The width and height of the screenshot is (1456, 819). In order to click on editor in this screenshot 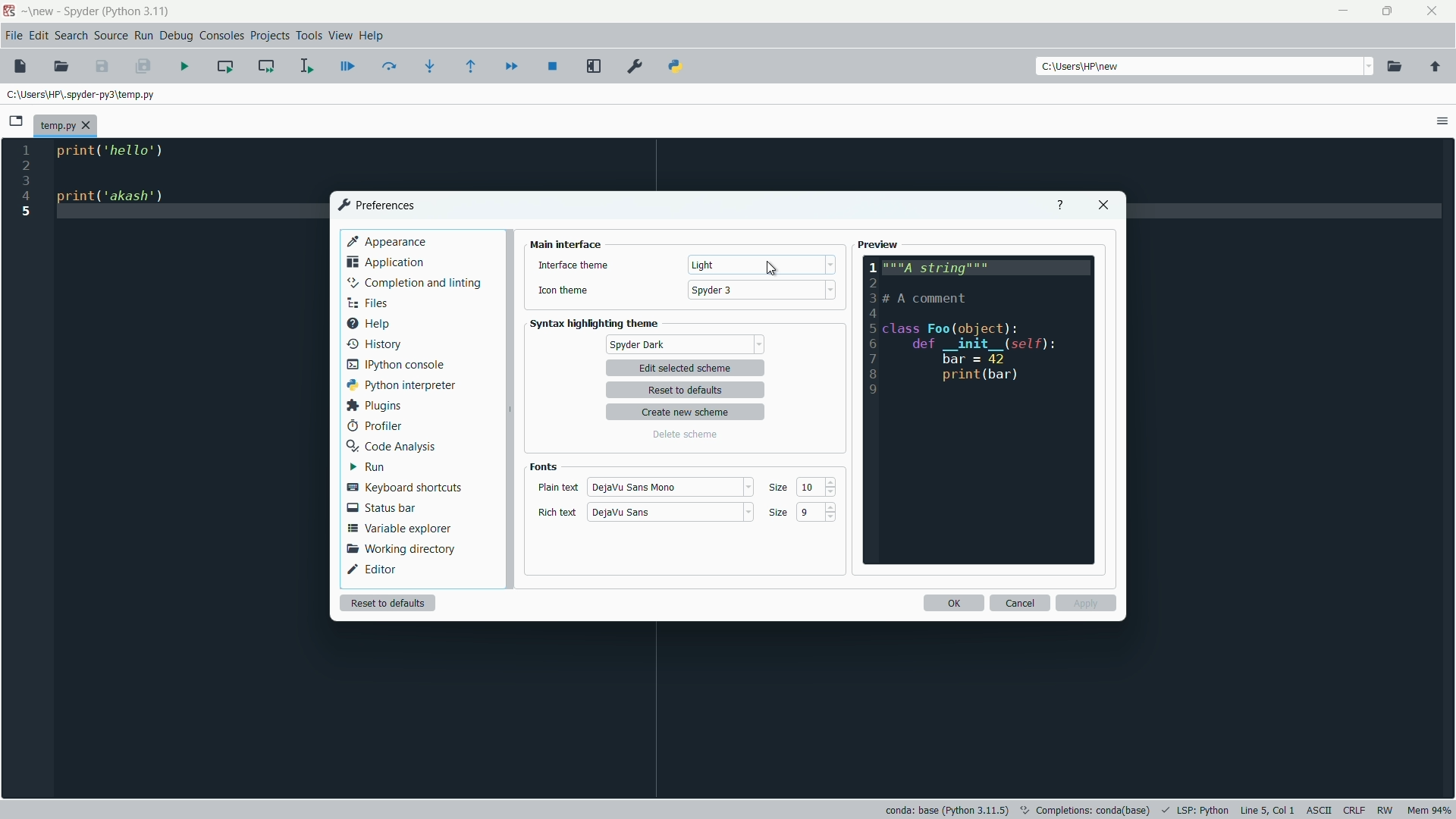, I will do `click(374, 569)`.